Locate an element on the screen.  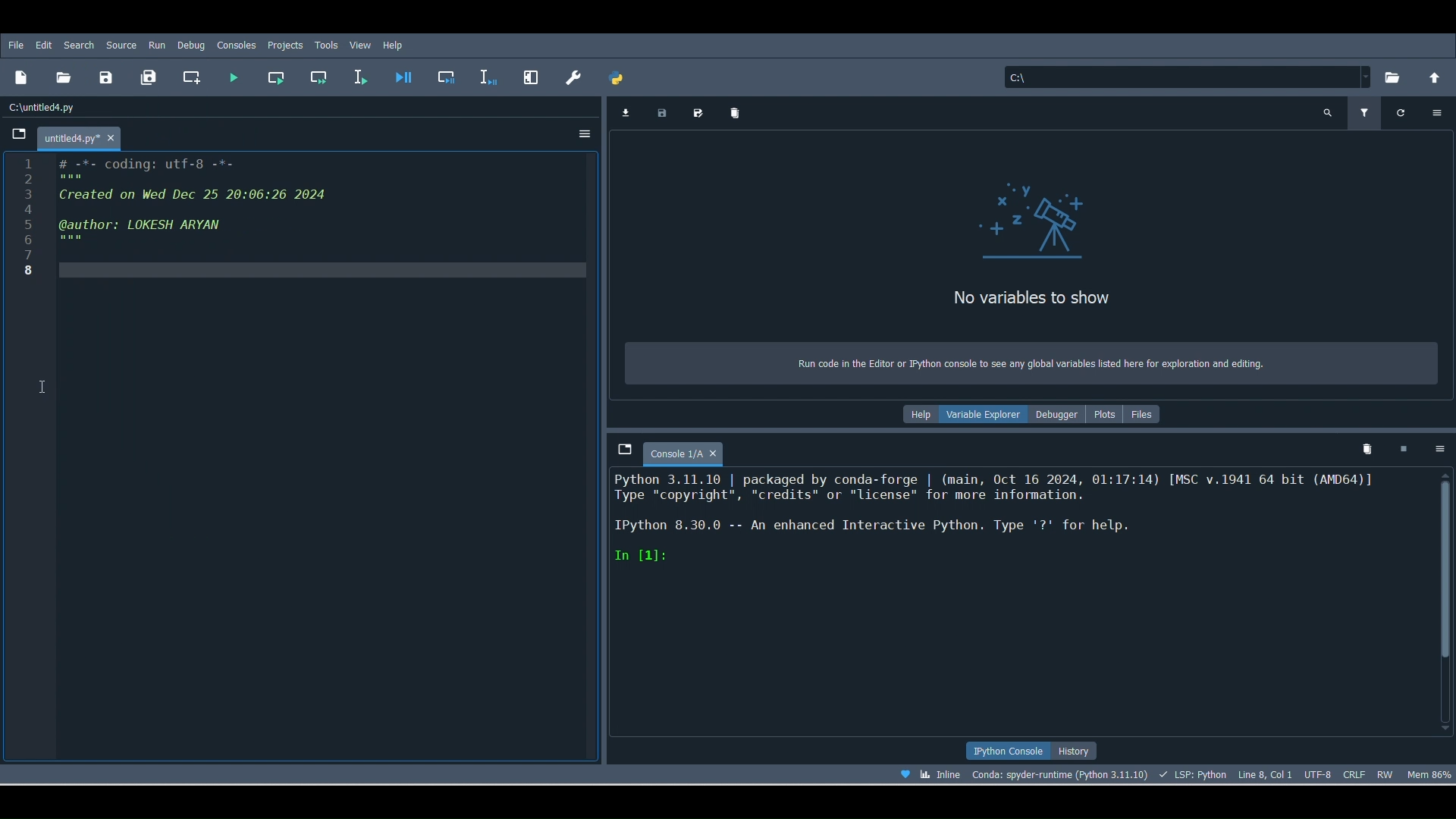
Version is located at coordinates (1059, 772).